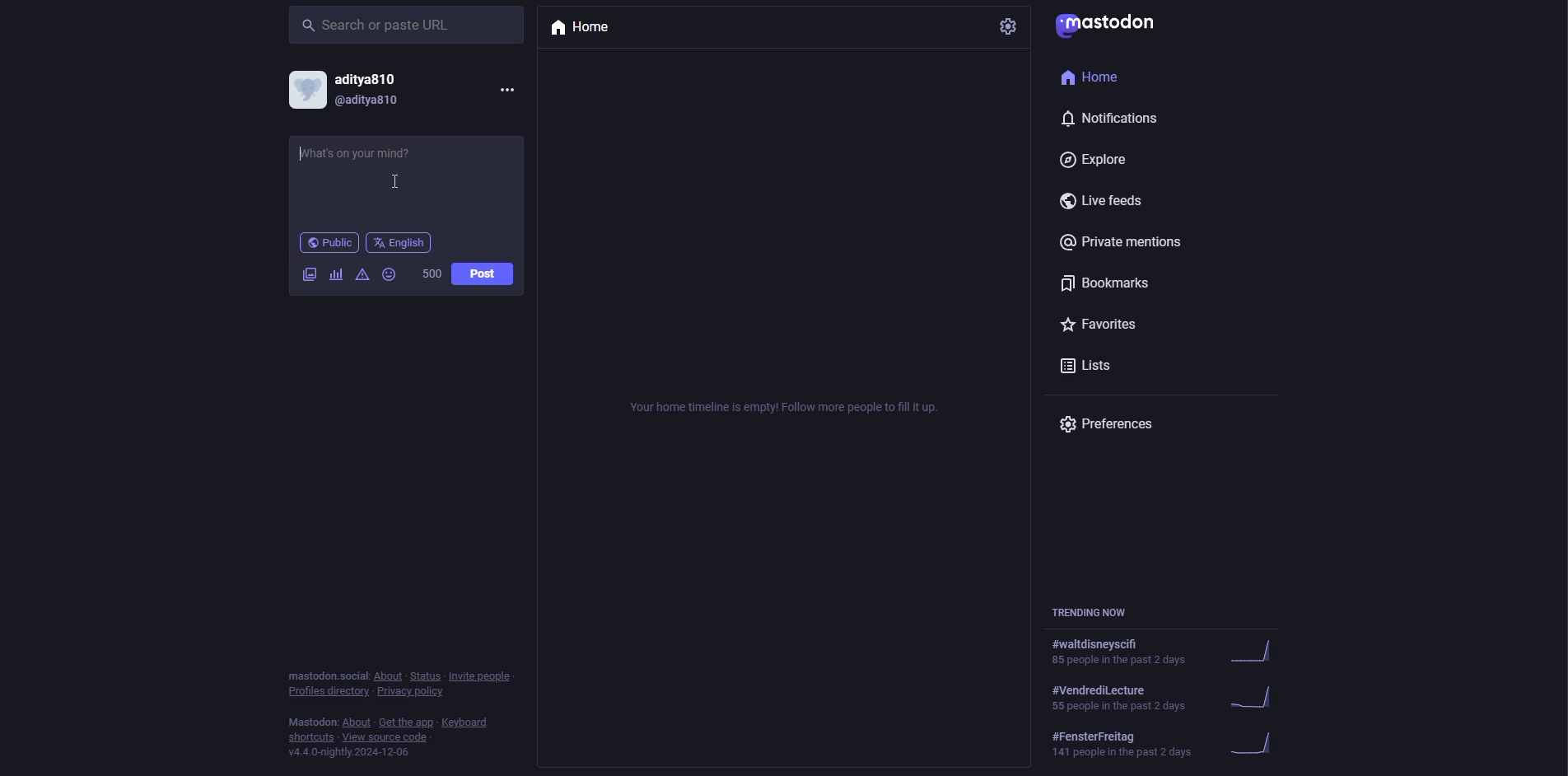 The image size is (1568, 776). What do you see at coordinates (1133, 245) in the screenshot?
I see `private mentions` at bounding box center [1133, 245].